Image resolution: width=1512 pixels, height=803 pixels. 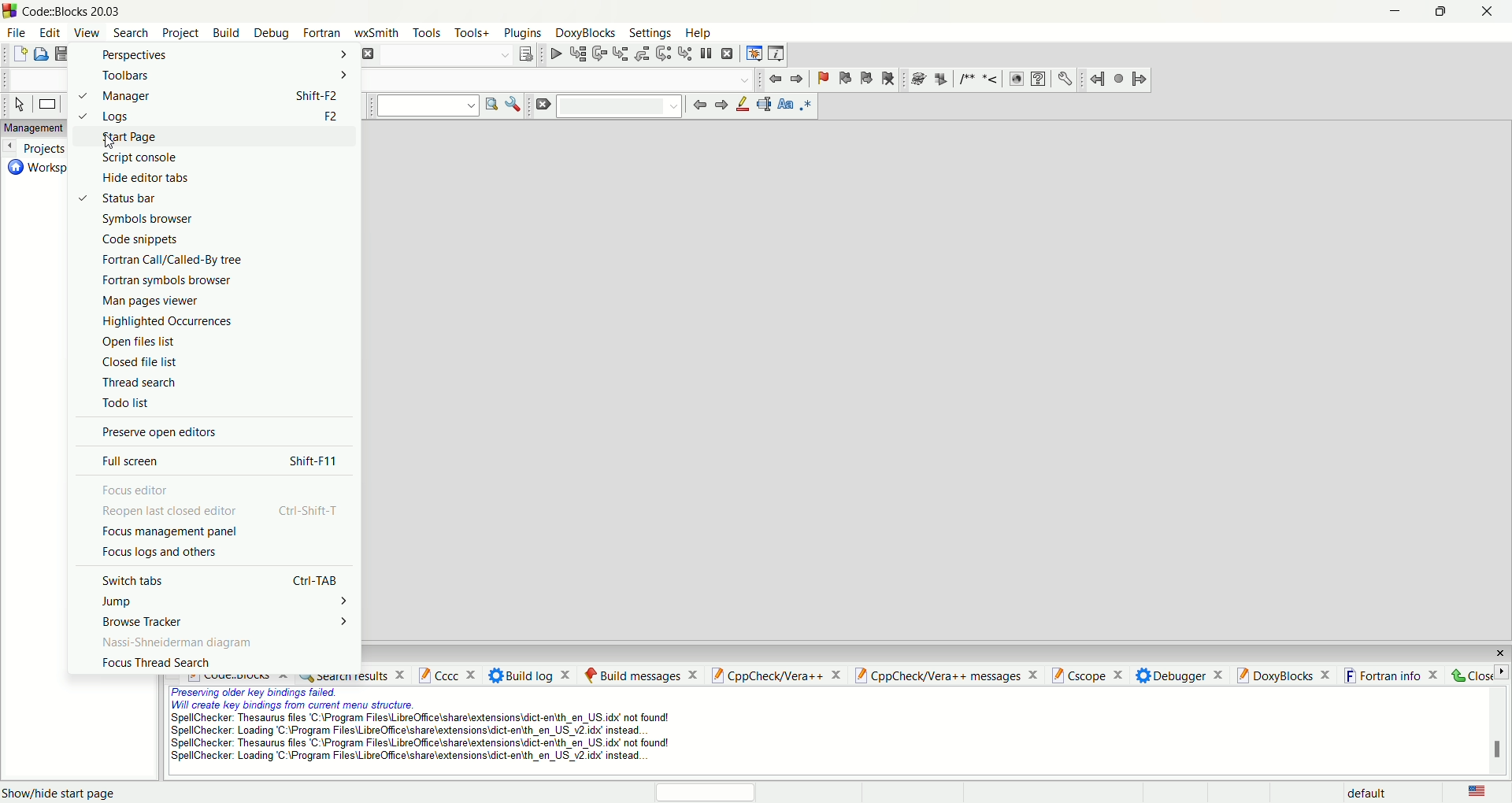 I want to click on jump forward, so click(x=1142, y=79).